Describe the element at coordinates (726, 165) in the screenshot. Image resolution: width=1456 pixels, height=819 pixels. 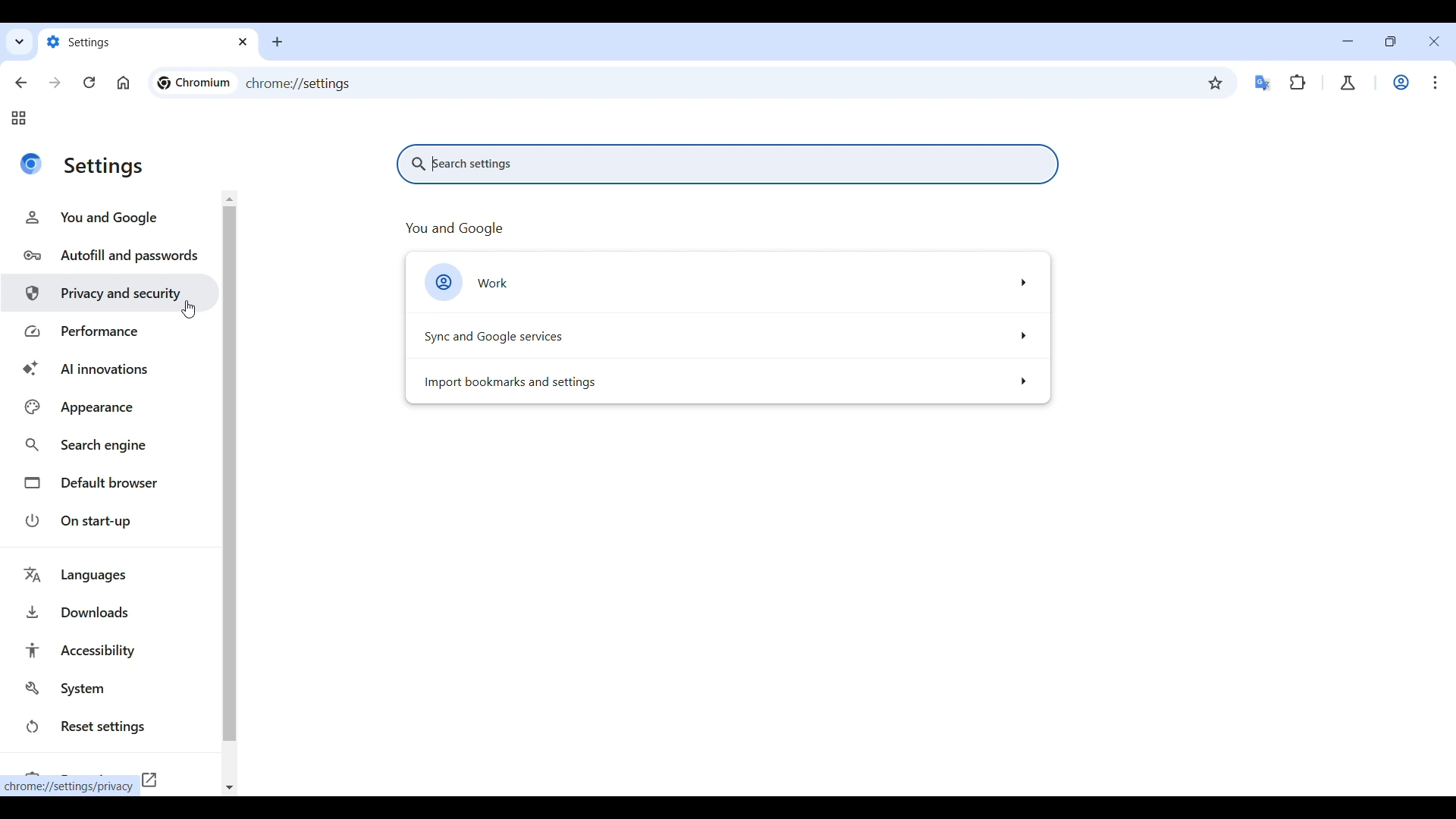
I see `Search settings` at that location.